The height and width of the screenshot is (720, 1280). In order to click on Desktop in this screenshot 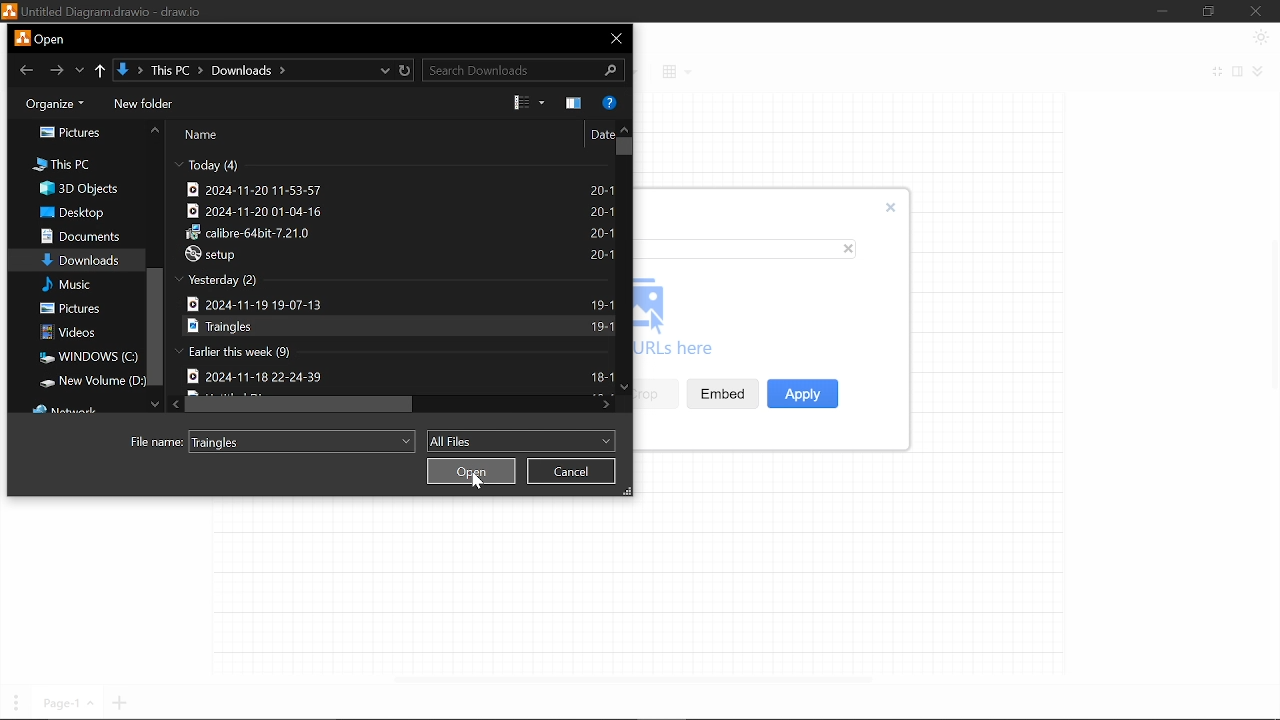, I will do `click(74, 212)`.